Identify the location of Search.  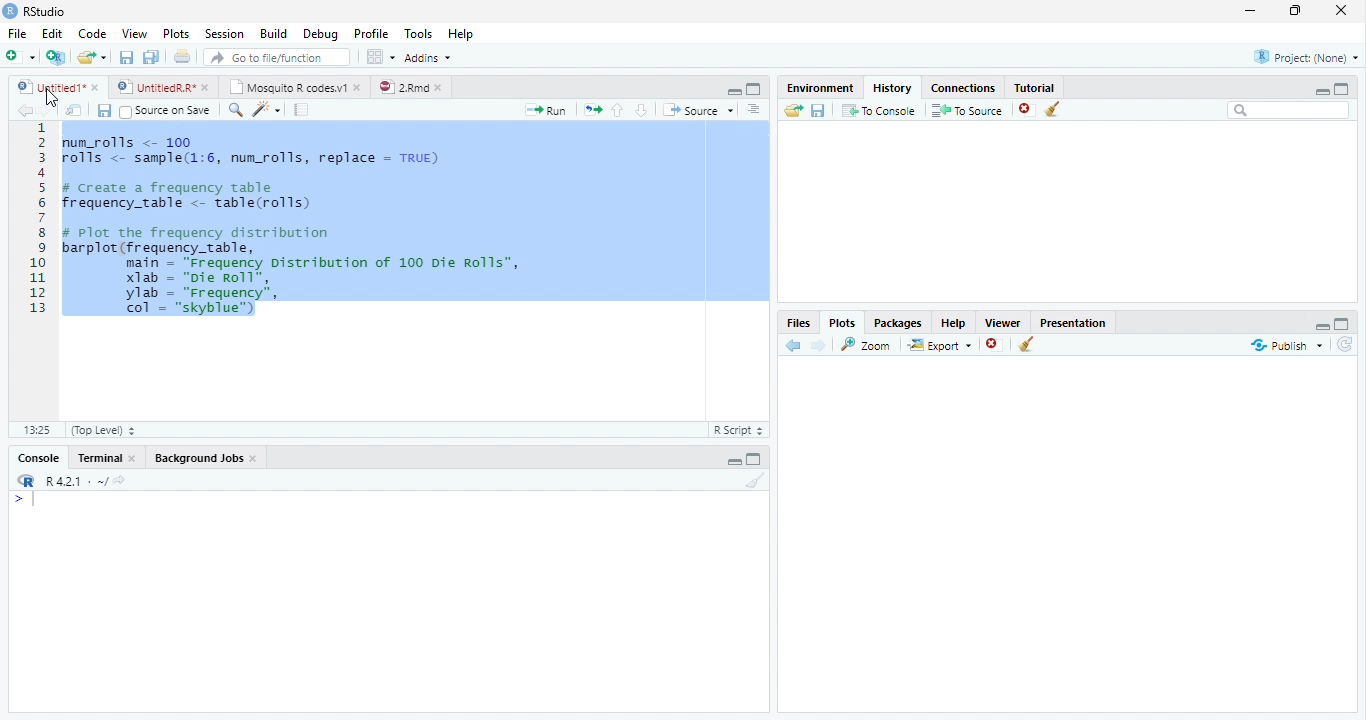
(1287, 110).